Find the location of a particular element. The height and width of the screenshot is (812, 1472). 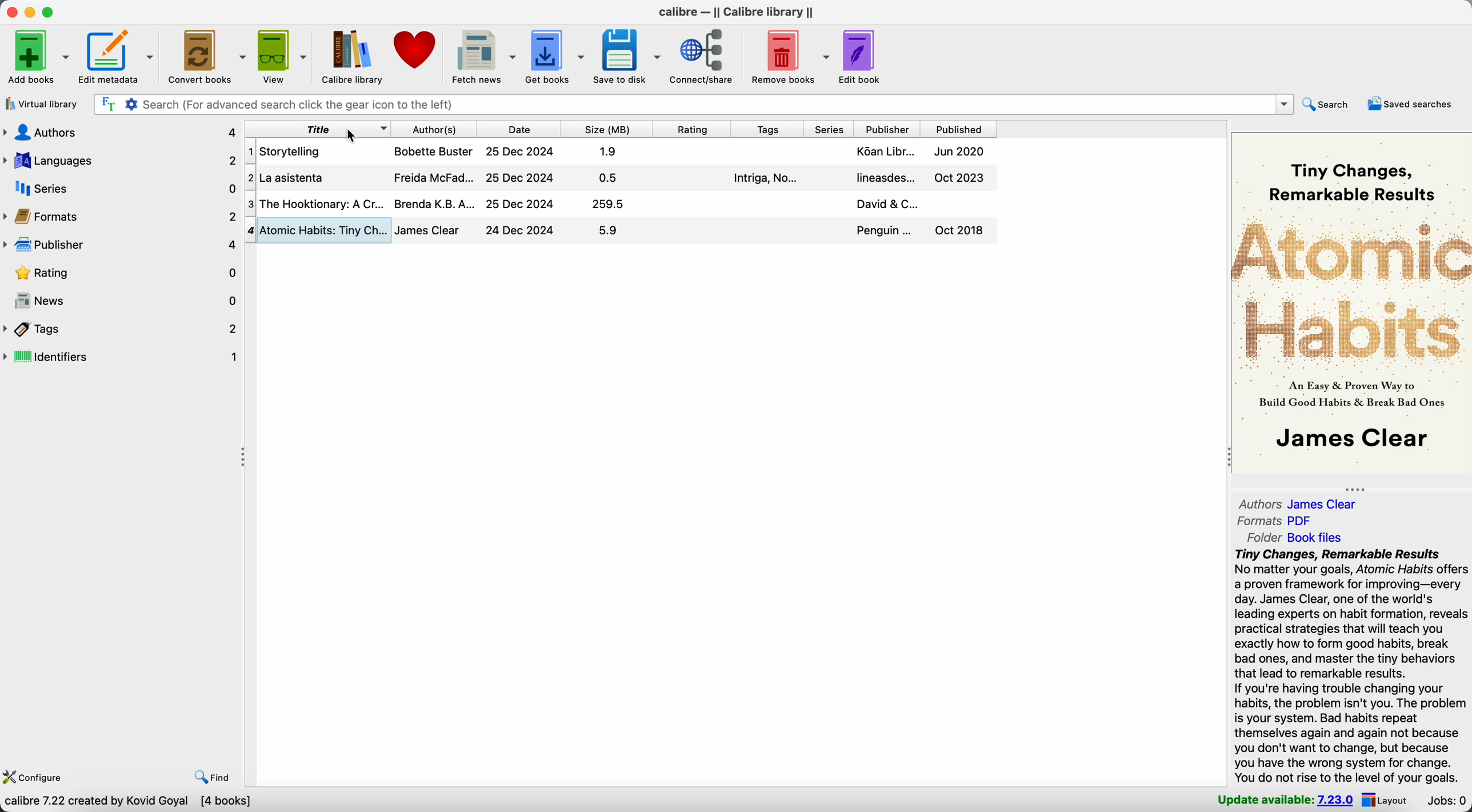

search is located at coordinates (1330, 103).